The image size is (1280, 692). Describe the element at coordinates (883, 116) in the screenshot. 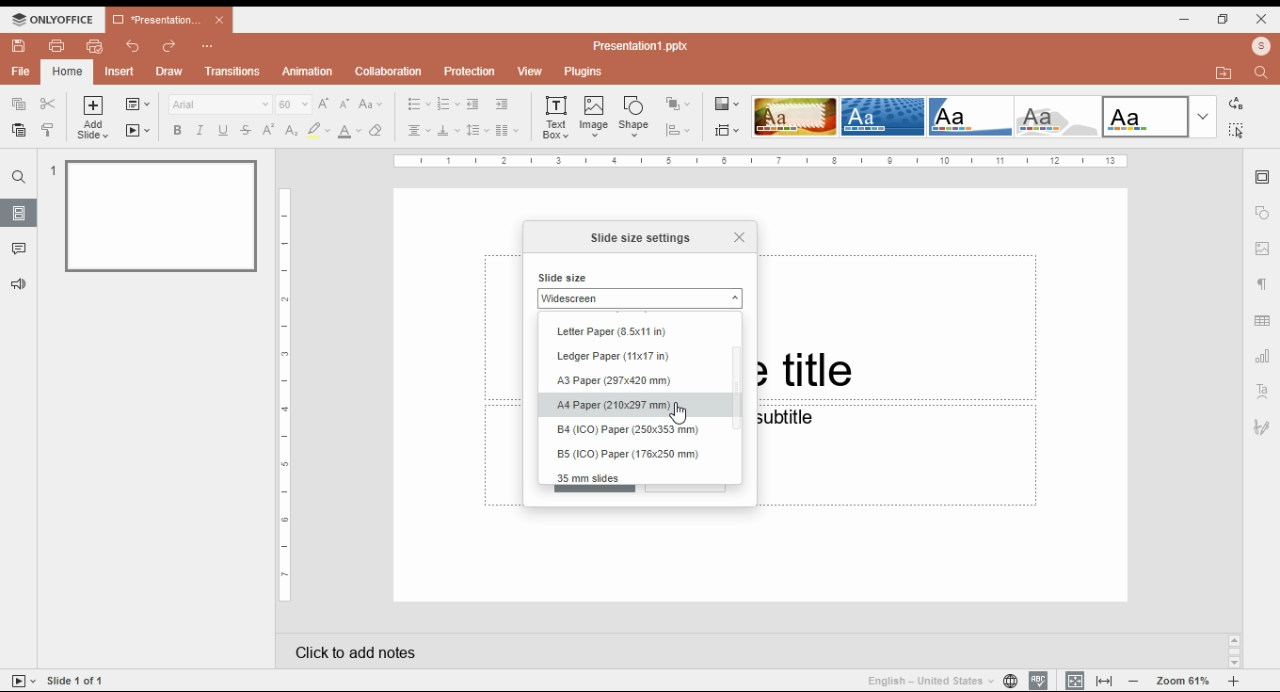

I see `slide them option` at that location.